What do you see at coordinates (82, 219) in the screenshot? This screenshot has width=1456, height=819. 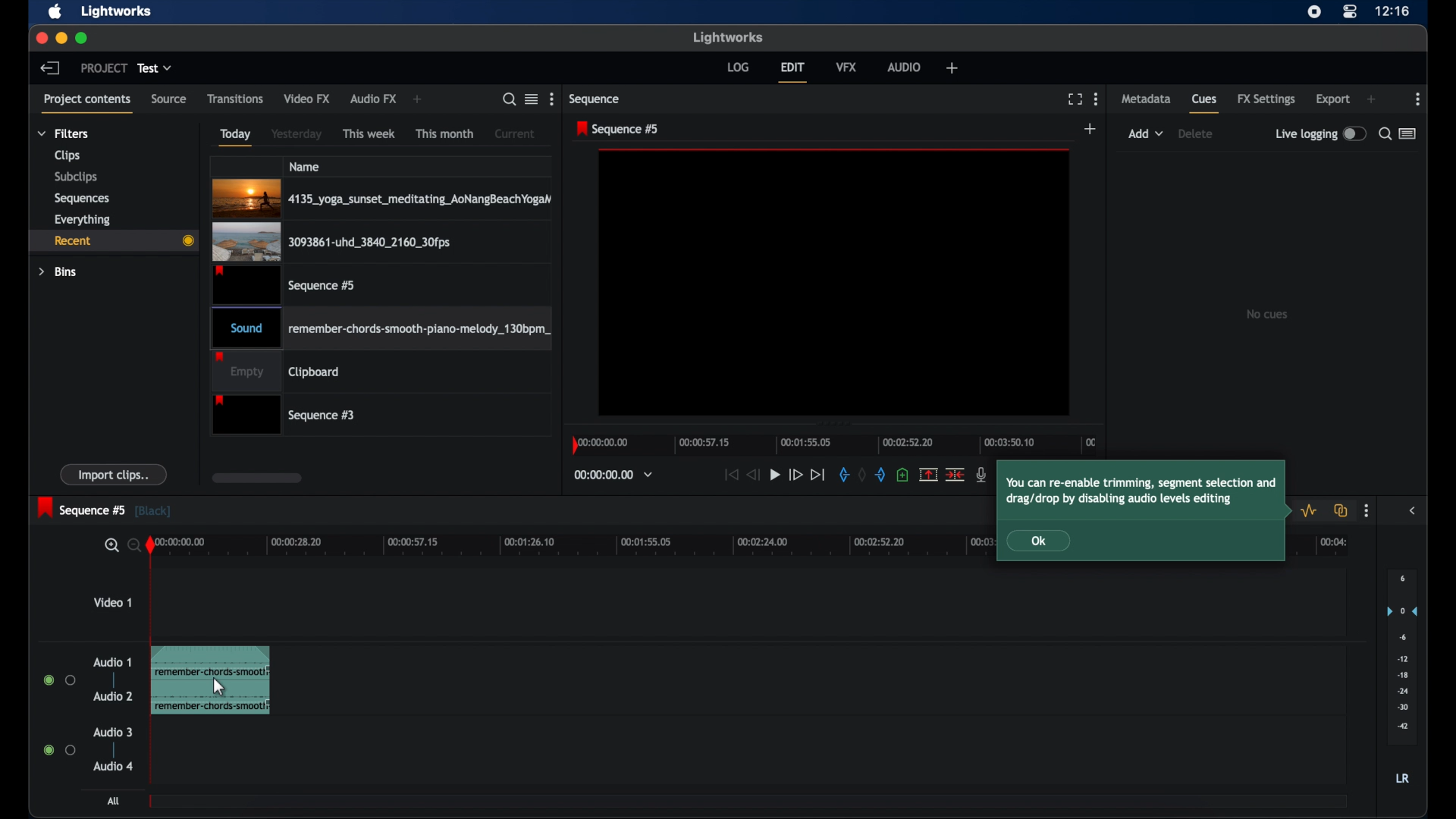 I see `everything` at bounding box center [82, 219].